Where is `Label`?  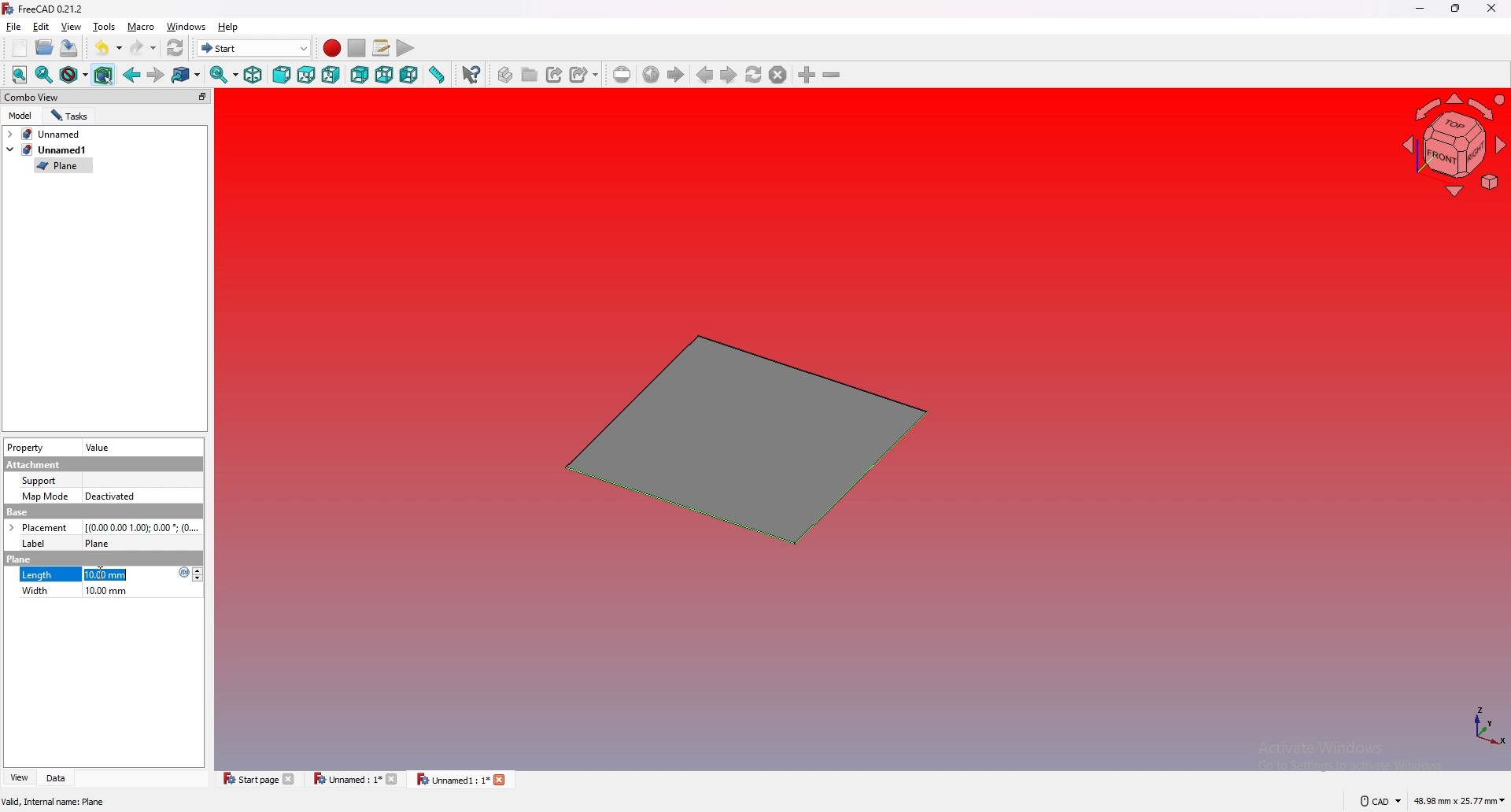 Label is located at coordinates (39, 543).